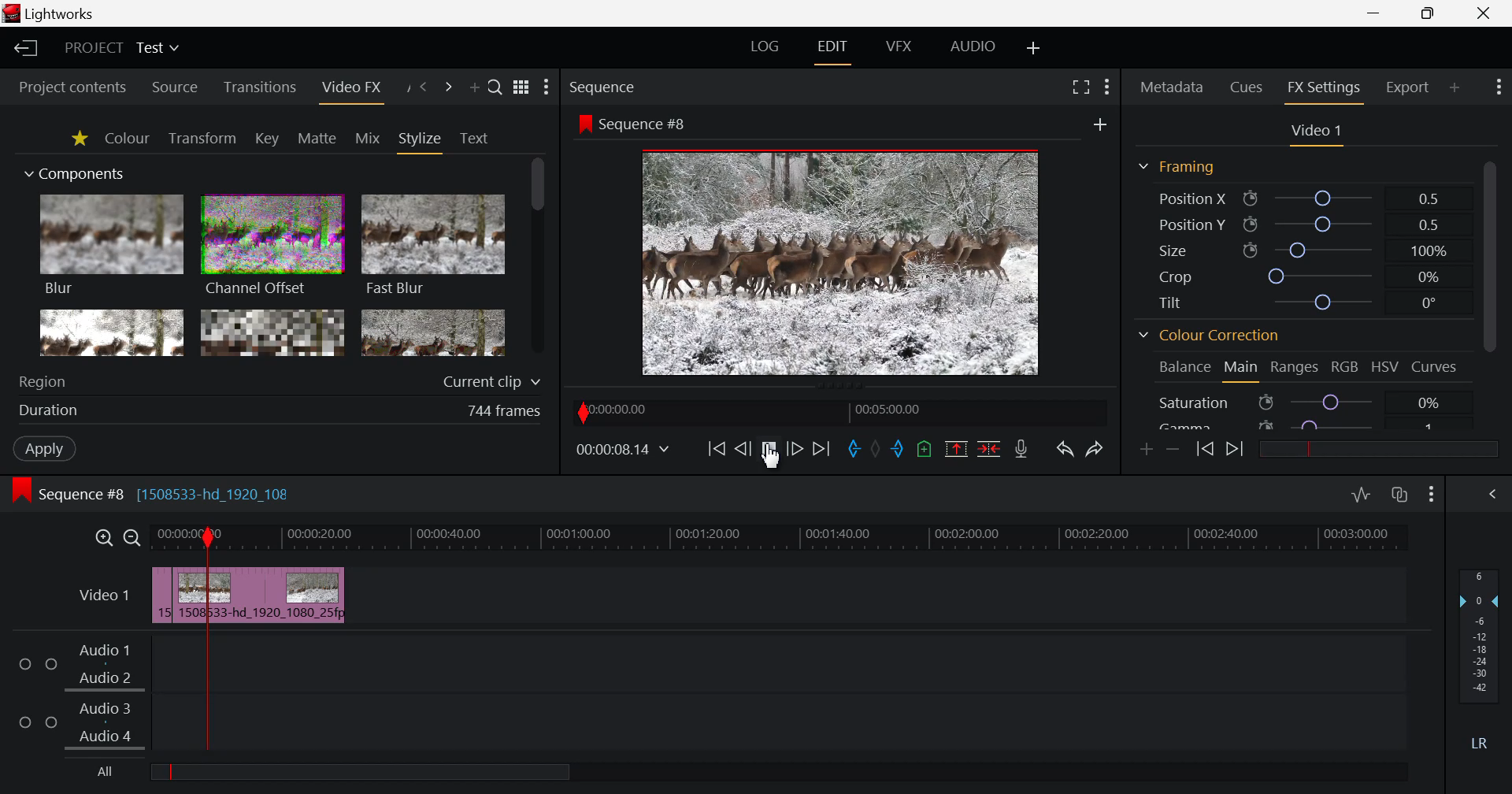  What do you see at coordinates (1299, 224) in the screenshot?
I see `Position Y` at bounding box center [1299, 224].